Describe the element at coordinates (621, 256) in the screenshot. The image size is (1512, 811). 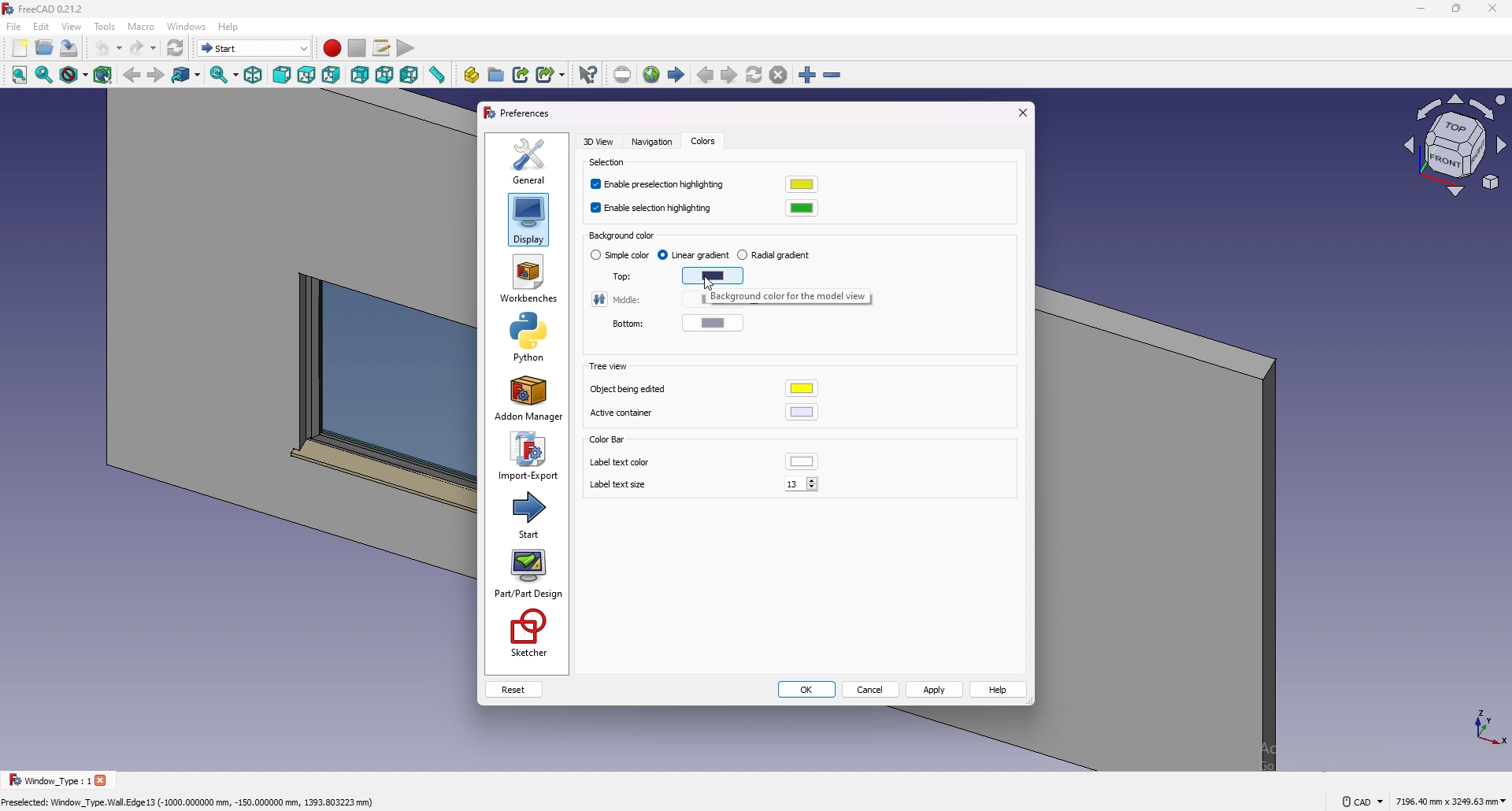
I see `simple color` at that location.